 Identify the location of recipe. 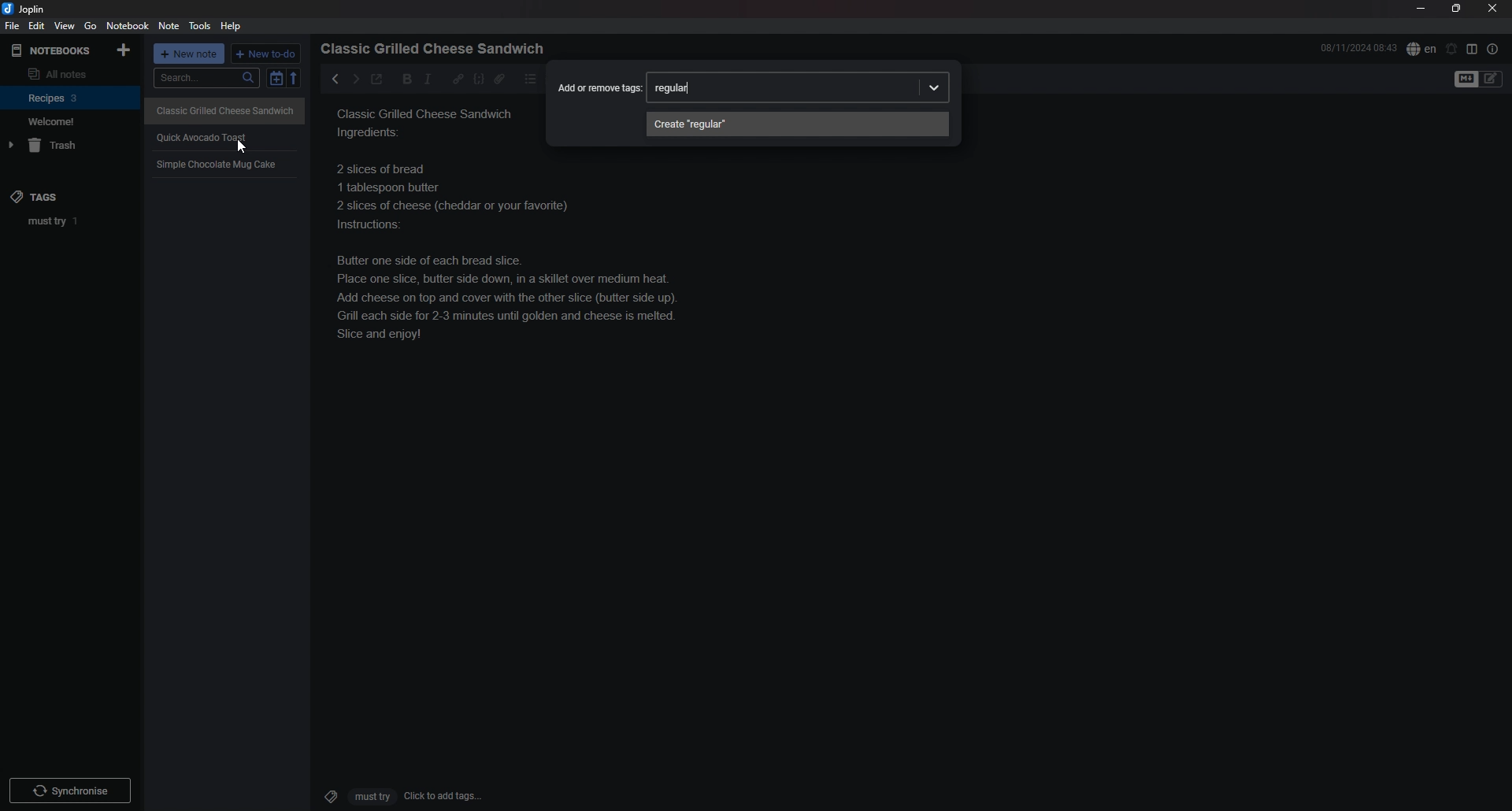
(202, 137).